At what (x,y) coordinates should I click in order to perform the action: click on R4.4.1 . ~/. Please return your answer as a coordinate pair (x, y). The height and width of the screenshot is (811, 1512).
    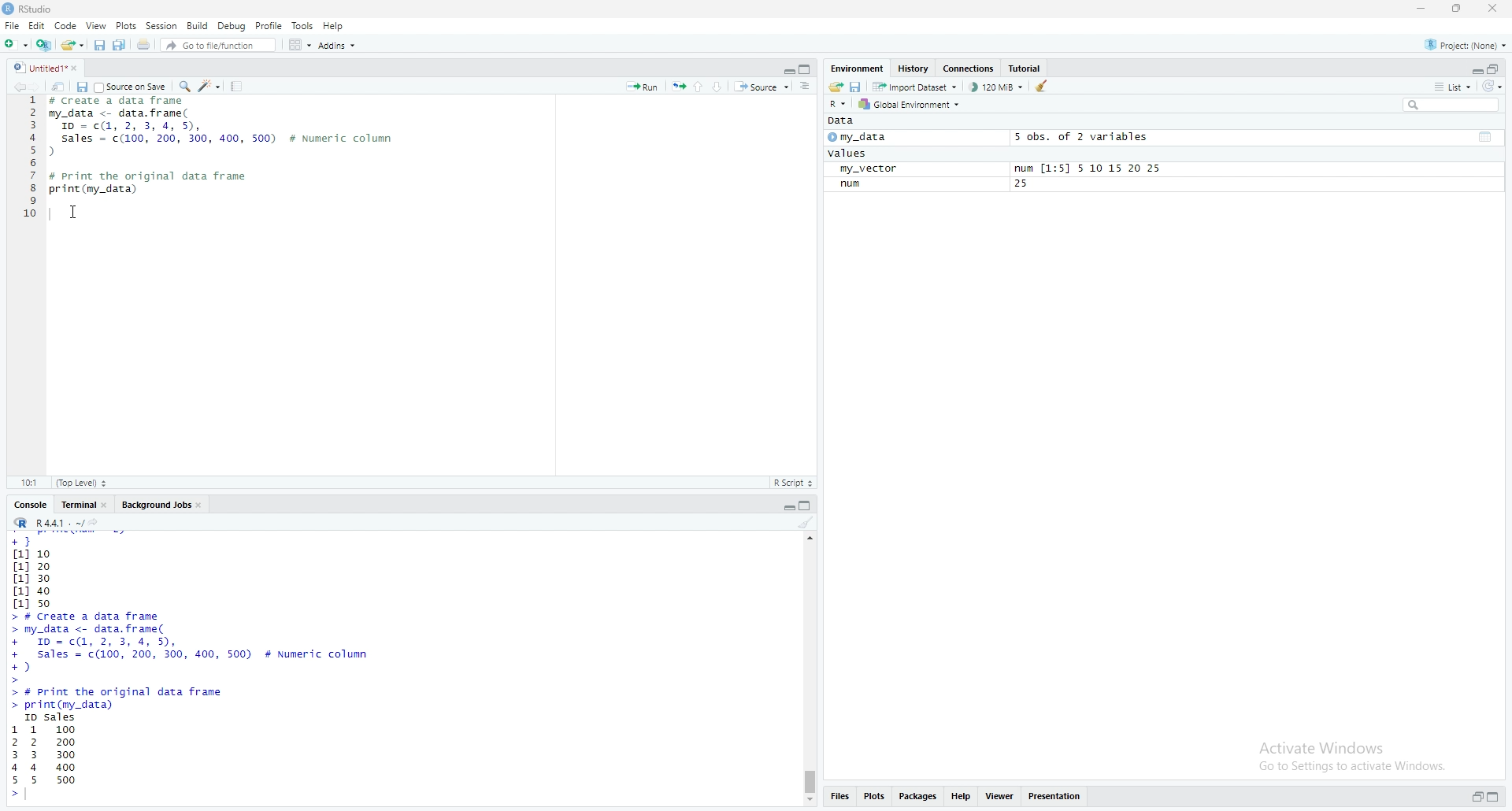
    Looking at the image, I should click on (61, 525).